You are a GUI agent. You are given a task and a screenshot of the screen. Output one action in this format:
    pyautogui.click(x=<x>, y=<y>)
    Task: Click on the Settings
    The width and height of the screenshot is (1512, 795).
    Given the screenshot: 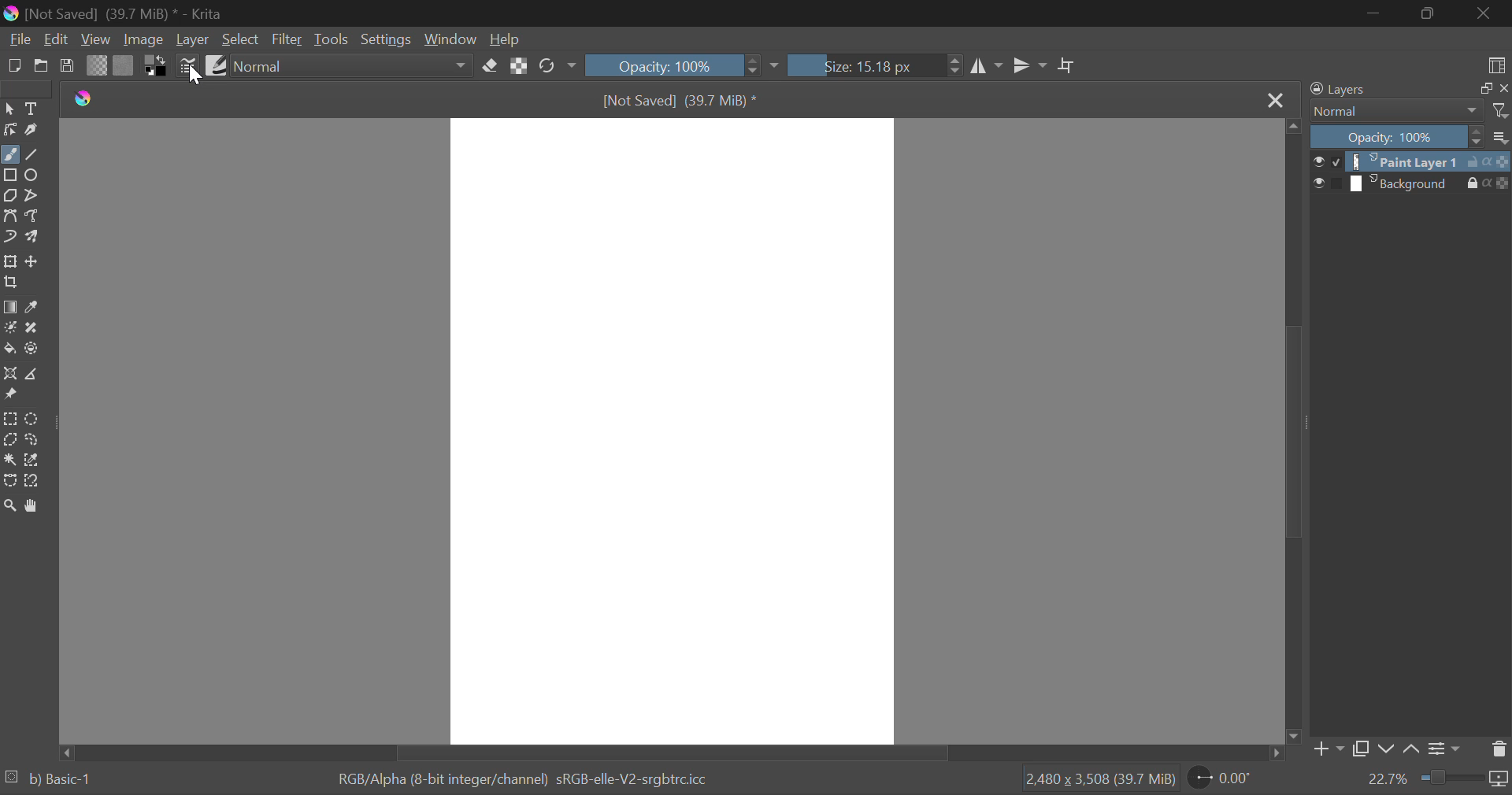 What is the action you would take?
    pyautogui.click(x=386, y=39)
    